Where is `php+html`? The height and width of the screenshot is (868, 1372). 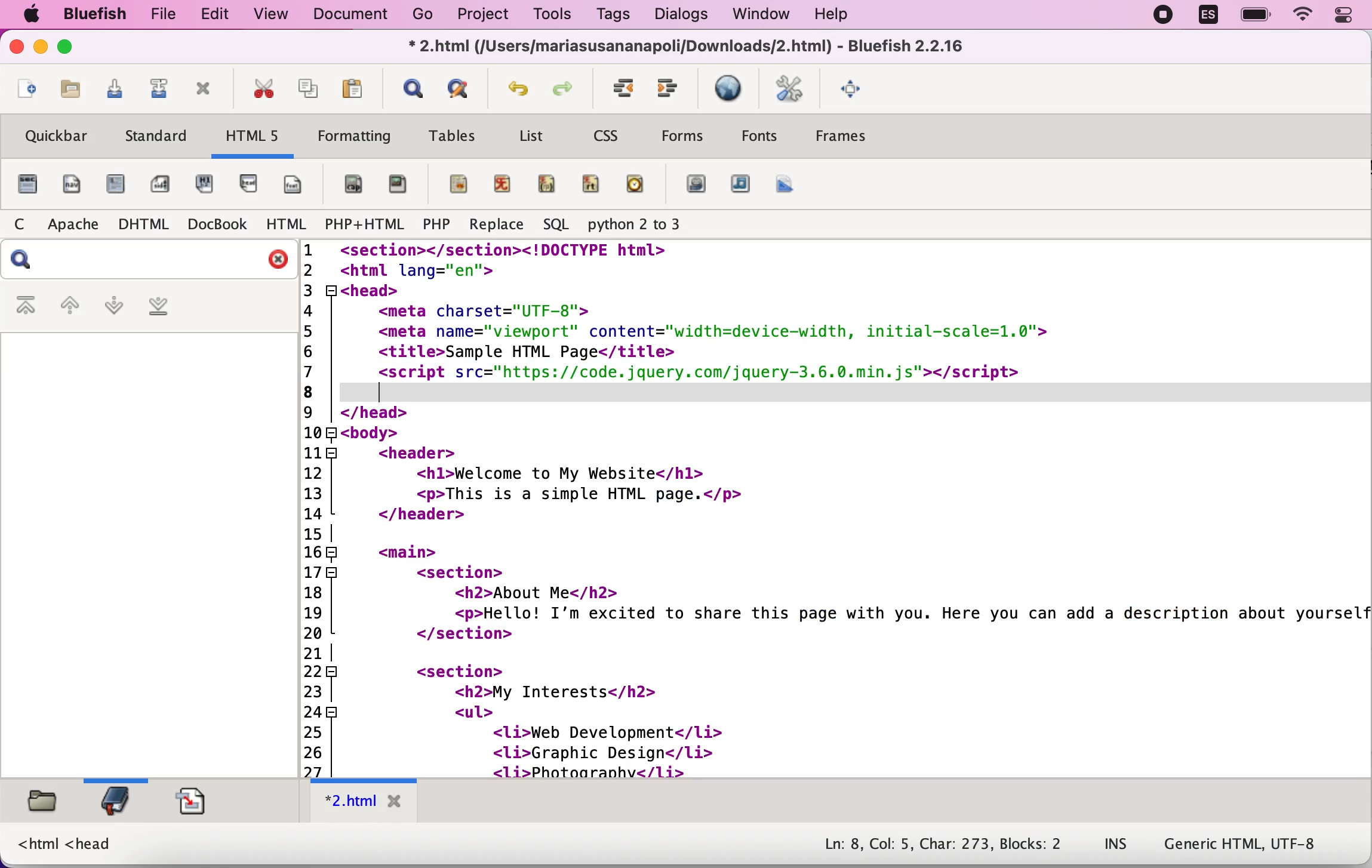
php+html is located at coordinates (365, 226).